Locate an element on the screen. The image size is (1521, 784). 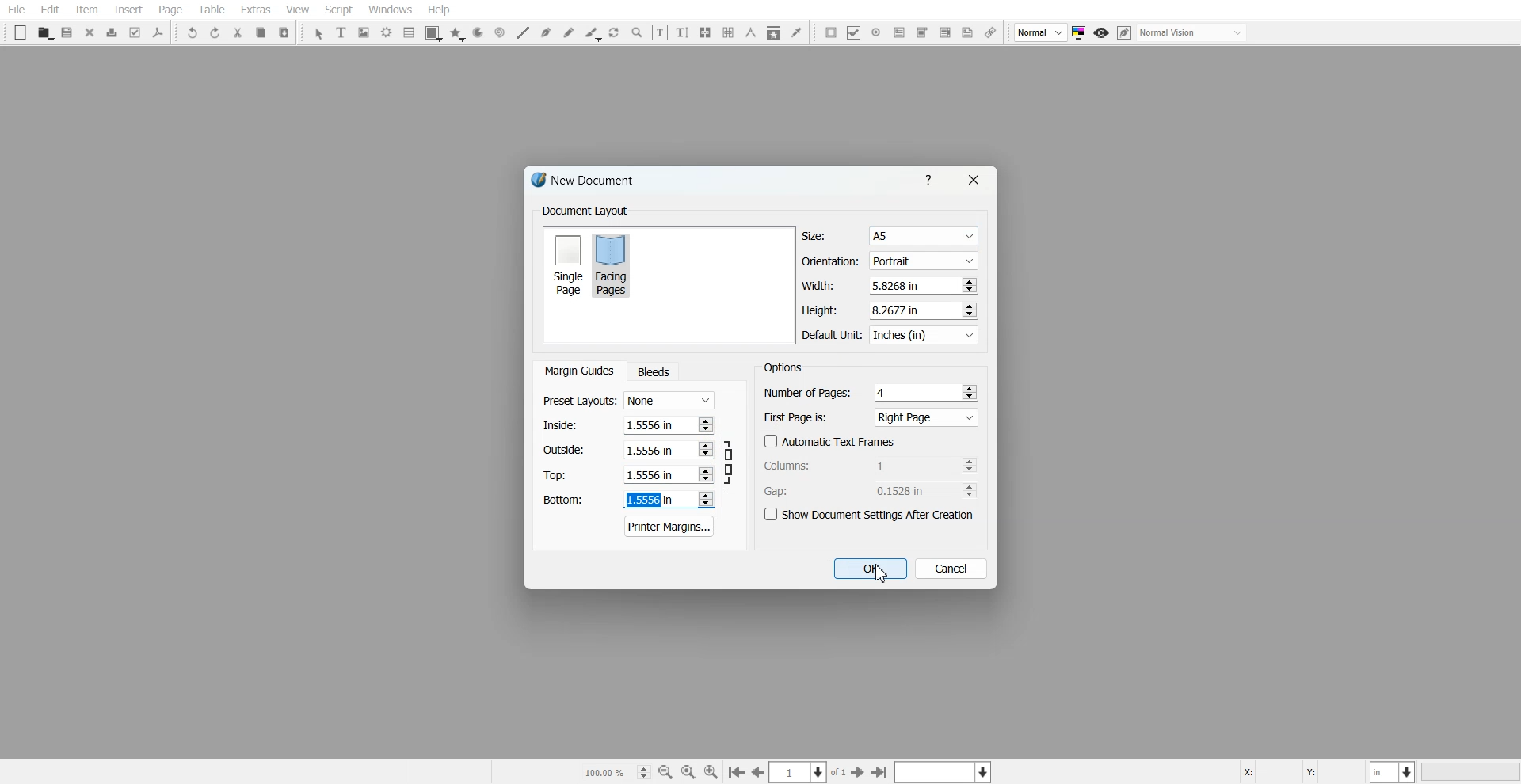
Zoom Out is located at coordinates (665, 772).